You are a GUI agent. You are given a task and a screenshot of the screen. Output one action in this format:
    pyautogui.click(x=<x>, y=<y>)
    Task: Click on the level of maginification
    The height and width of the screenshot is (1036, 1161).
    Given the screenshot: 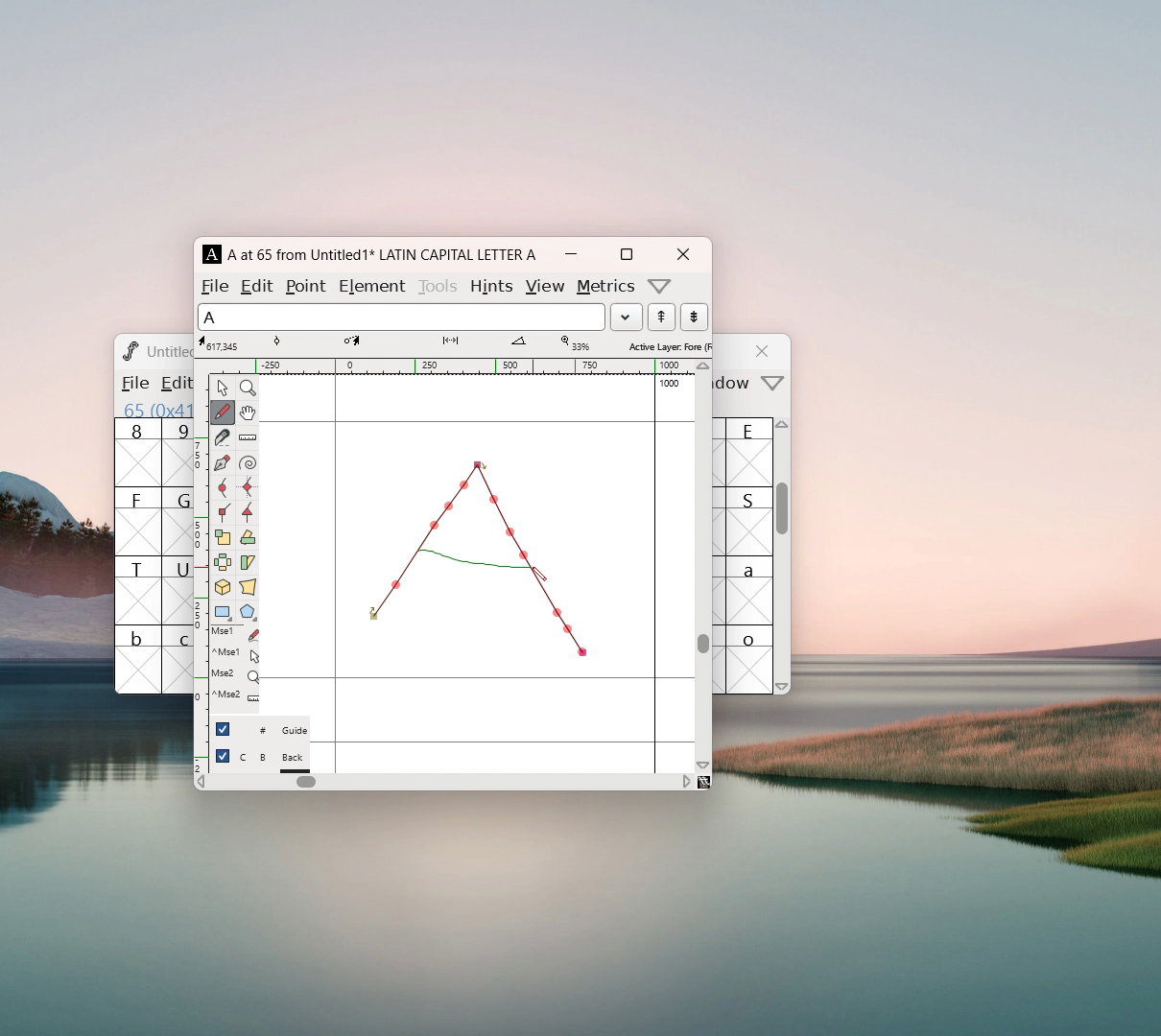 What is the action you would take?
    pyautogui.click(x=574, y=343)
    